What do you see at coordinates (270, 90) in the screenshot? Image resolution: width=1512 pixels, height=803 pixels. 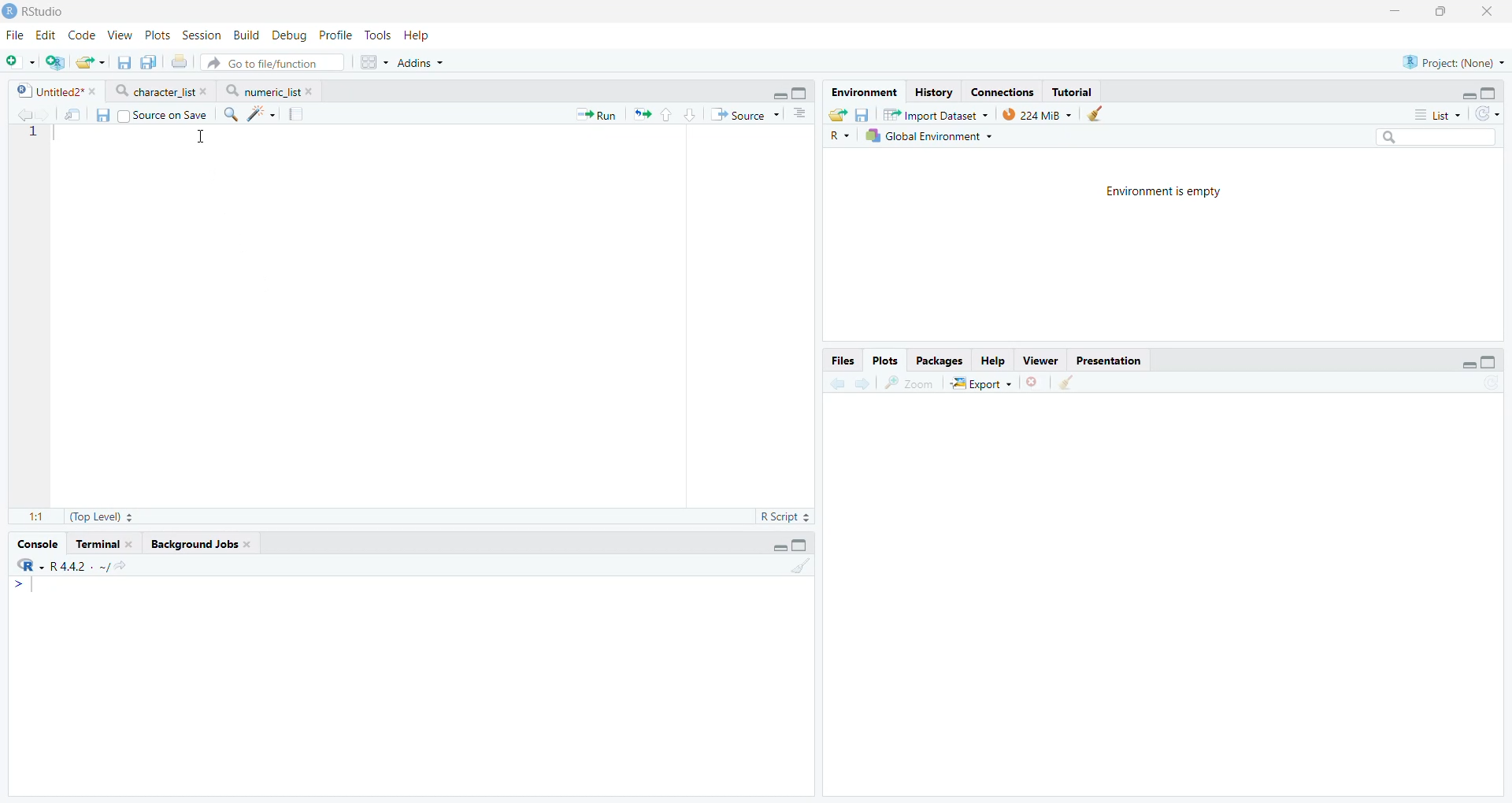 I see `numeric_list` at bounding box center [270, 90].